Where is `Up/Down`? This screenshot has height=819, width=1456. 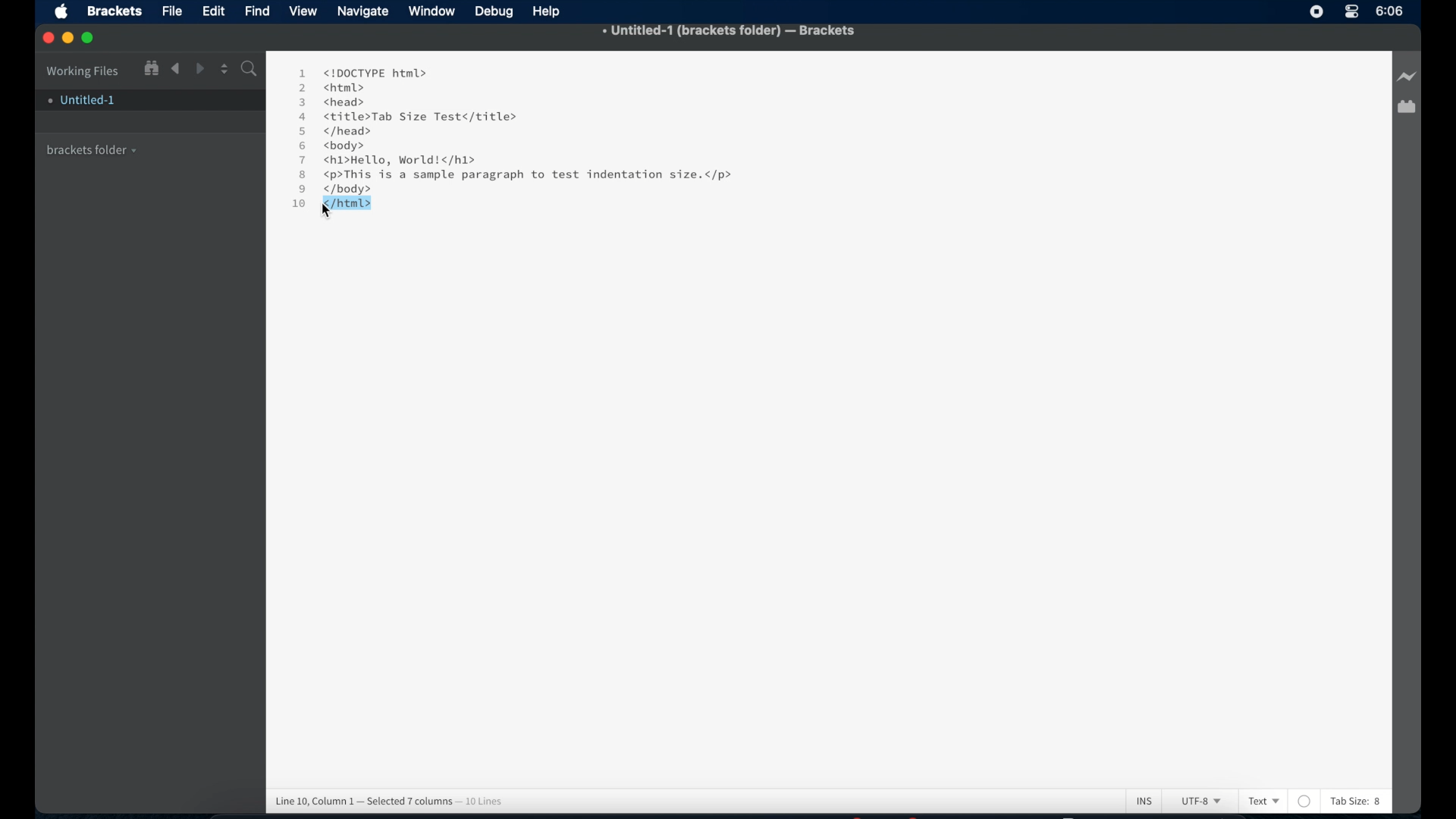 Up/Down is located at coordinates (224, 68).